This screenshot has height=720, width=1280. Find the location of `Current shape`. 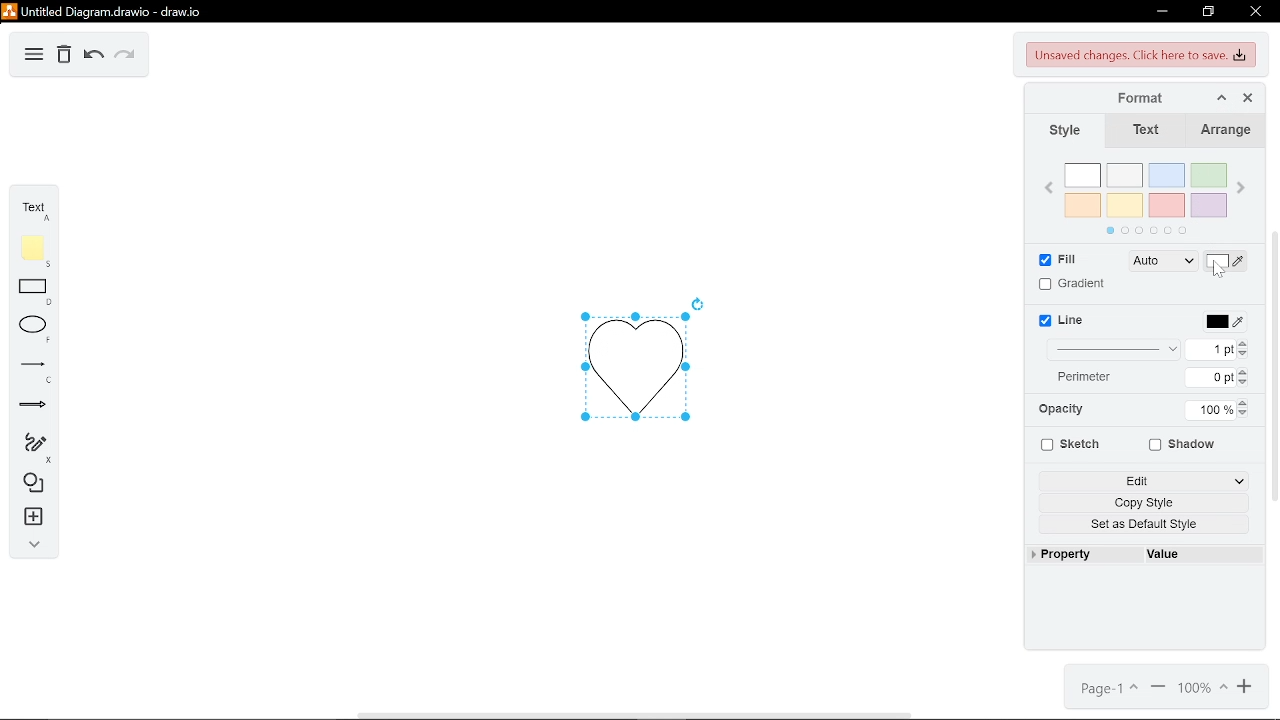

Current shape is located at coordinates (631, 365).